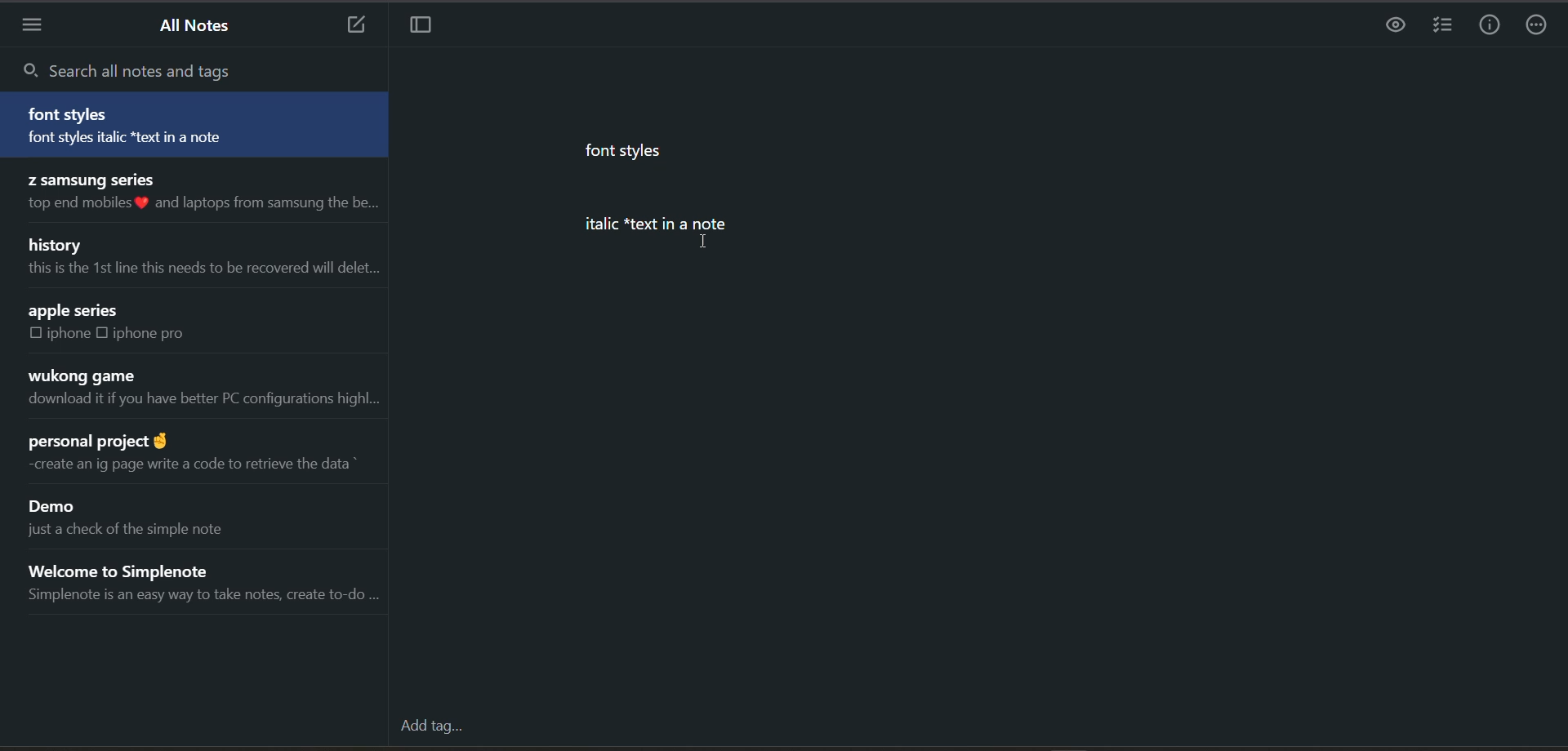 The image size is (1568, 751). I want to click on note title and preview, so click(203, 259).